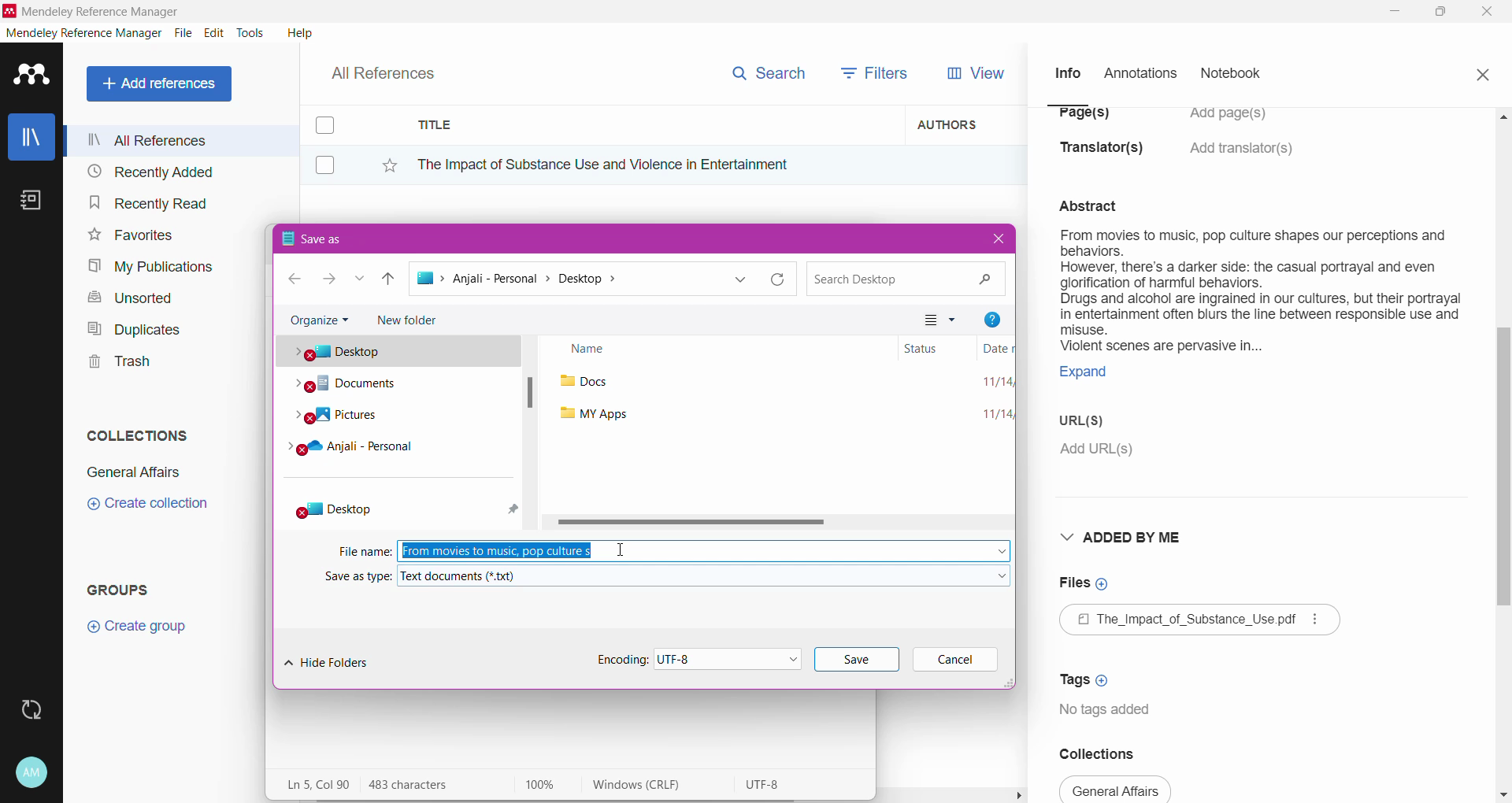  What do you see at coordinates (718, 350) in the screenshot?
I see `Name` at bounding box center [718, 350].